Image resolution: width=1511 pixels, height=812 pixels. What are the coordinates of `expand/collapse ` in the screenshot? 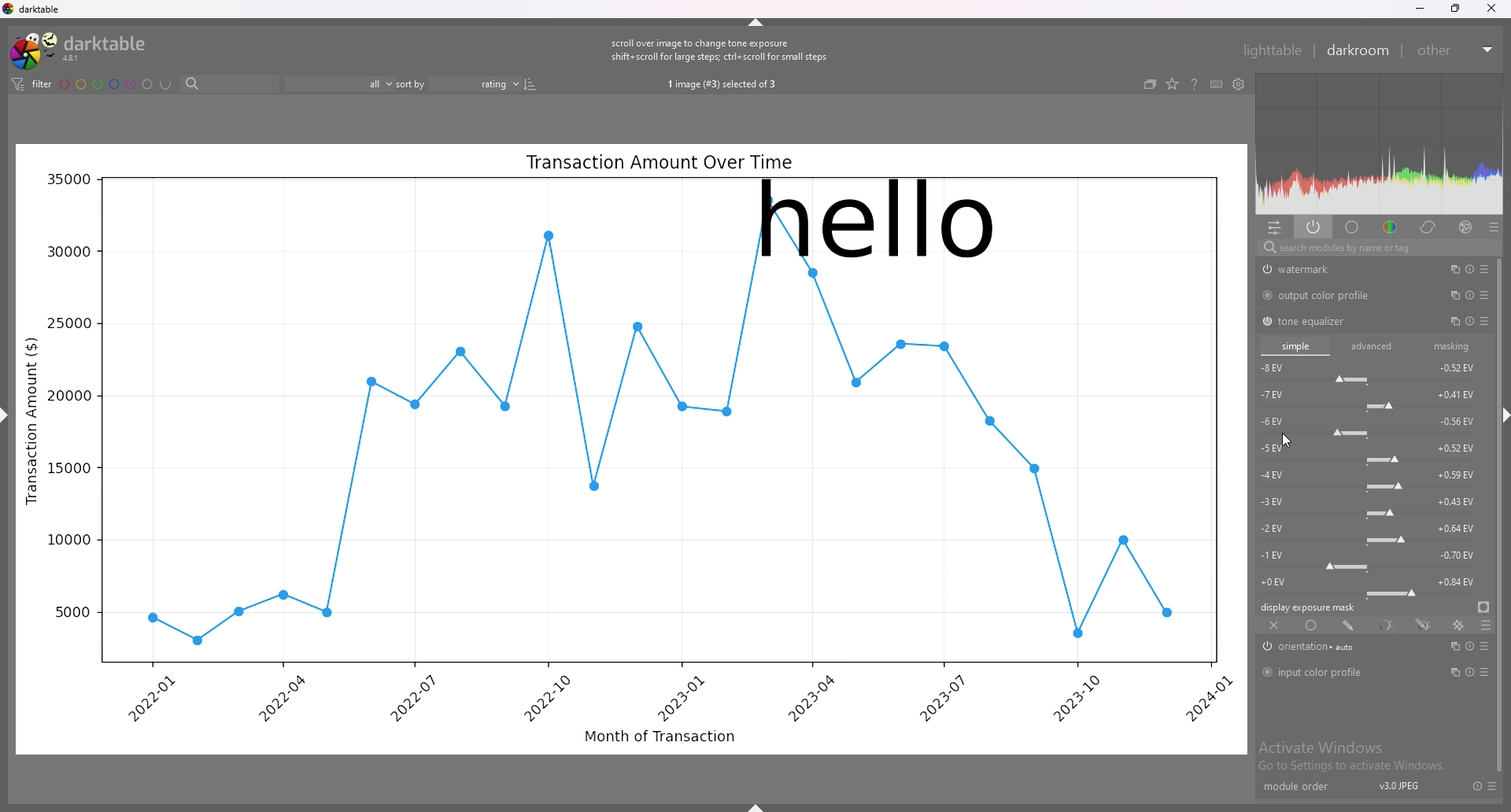 It's located at (1487, 50).